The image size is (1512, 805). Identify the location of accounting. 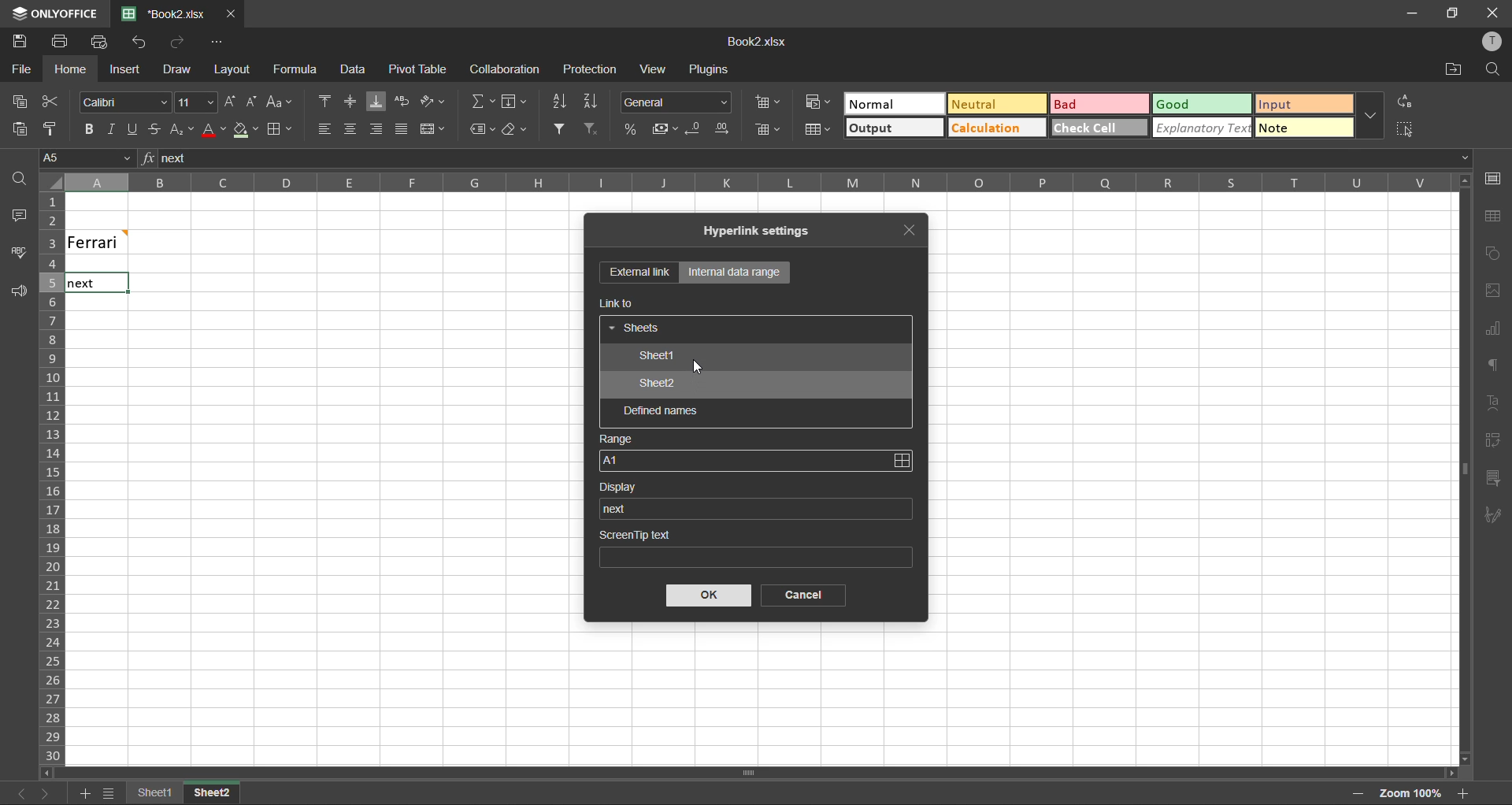
(665, 129).